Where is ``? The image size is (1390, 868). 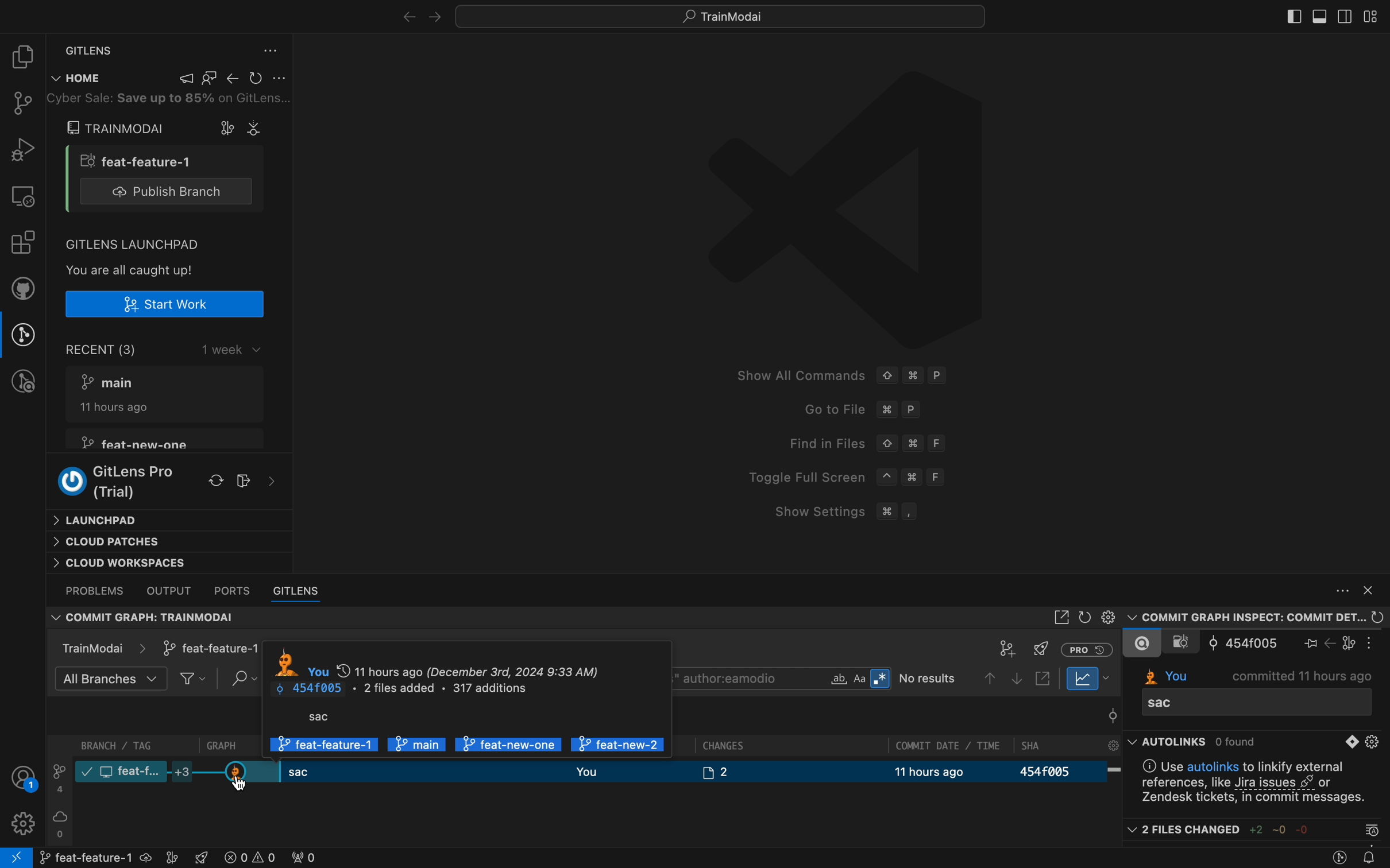
 is located at coordinates (258, 480).